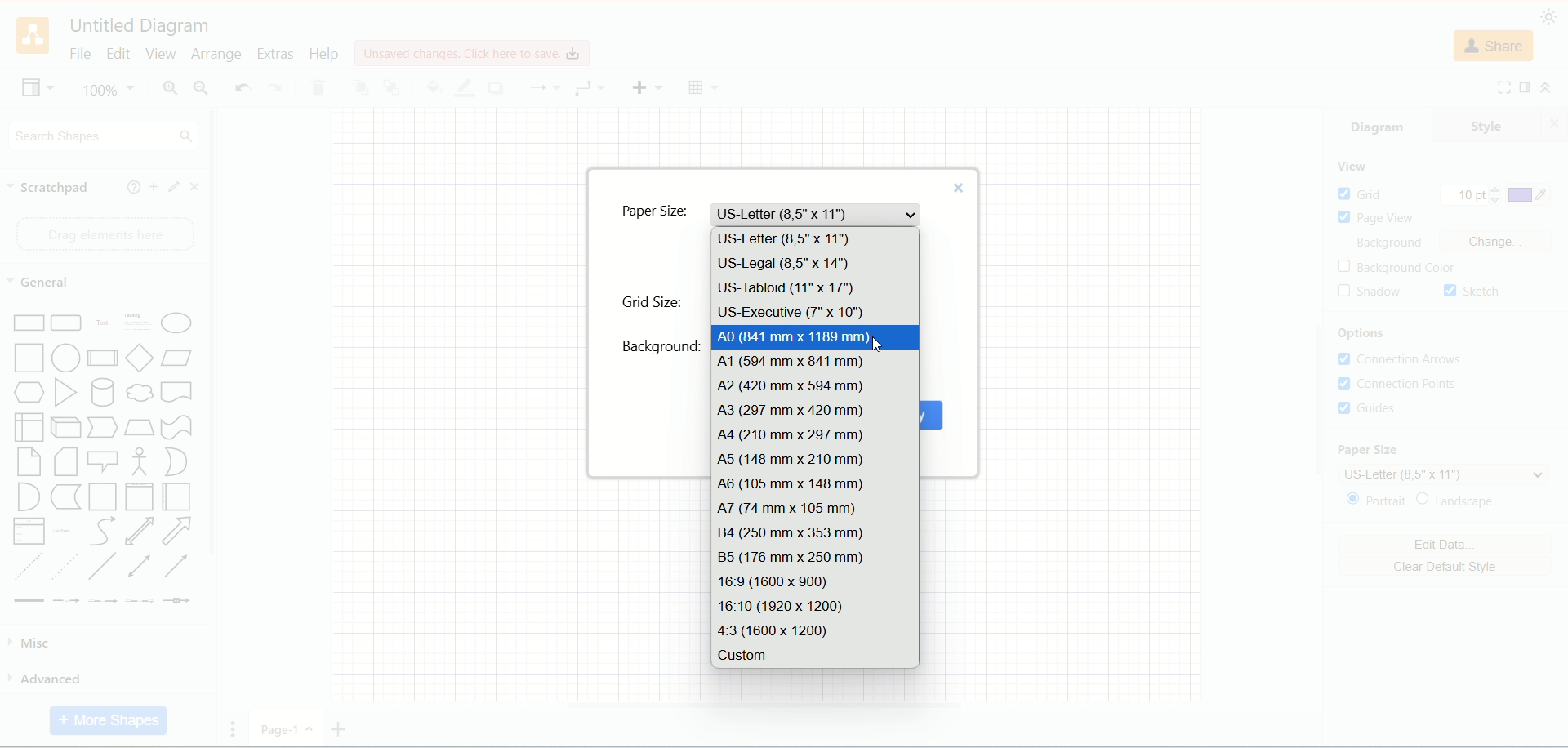  Describe the element at coordinates (104, 602) in the screenshot. I see `Connector with 2 Labels` at that location.